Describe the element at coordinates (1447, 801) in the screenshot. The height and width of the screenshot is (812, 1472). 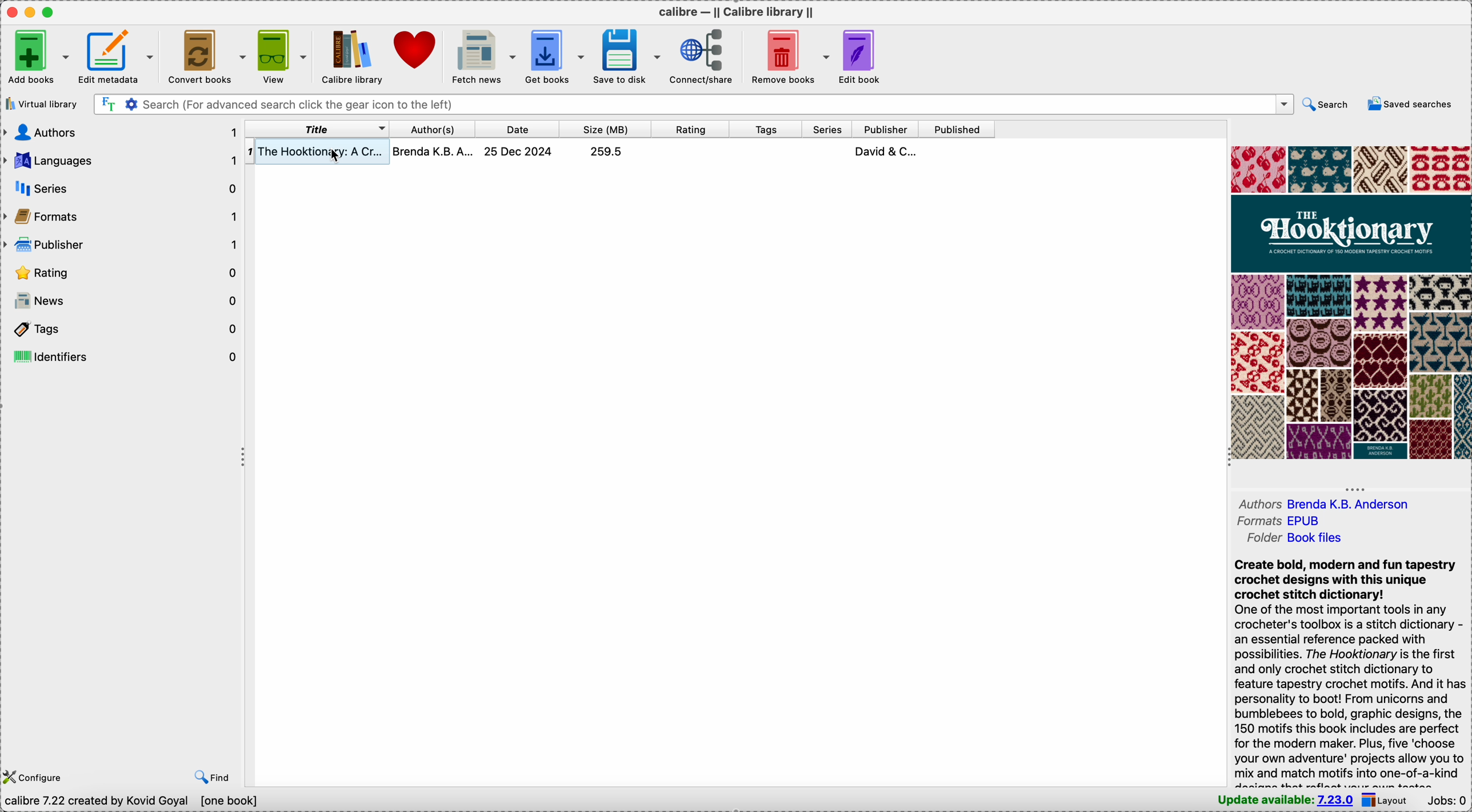
I see `Jobs: 0` at that location.